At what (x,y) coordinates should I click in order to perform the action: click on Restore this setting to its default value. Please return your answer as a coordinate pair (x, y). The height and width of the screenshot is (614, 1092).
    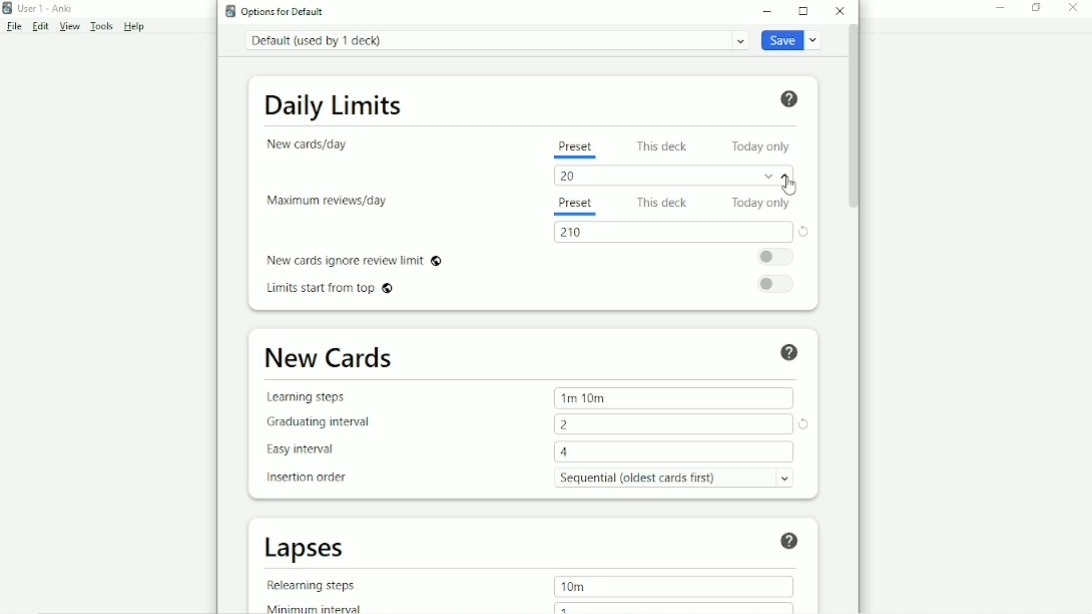
    Looking at the image, I should click on (805, 424).